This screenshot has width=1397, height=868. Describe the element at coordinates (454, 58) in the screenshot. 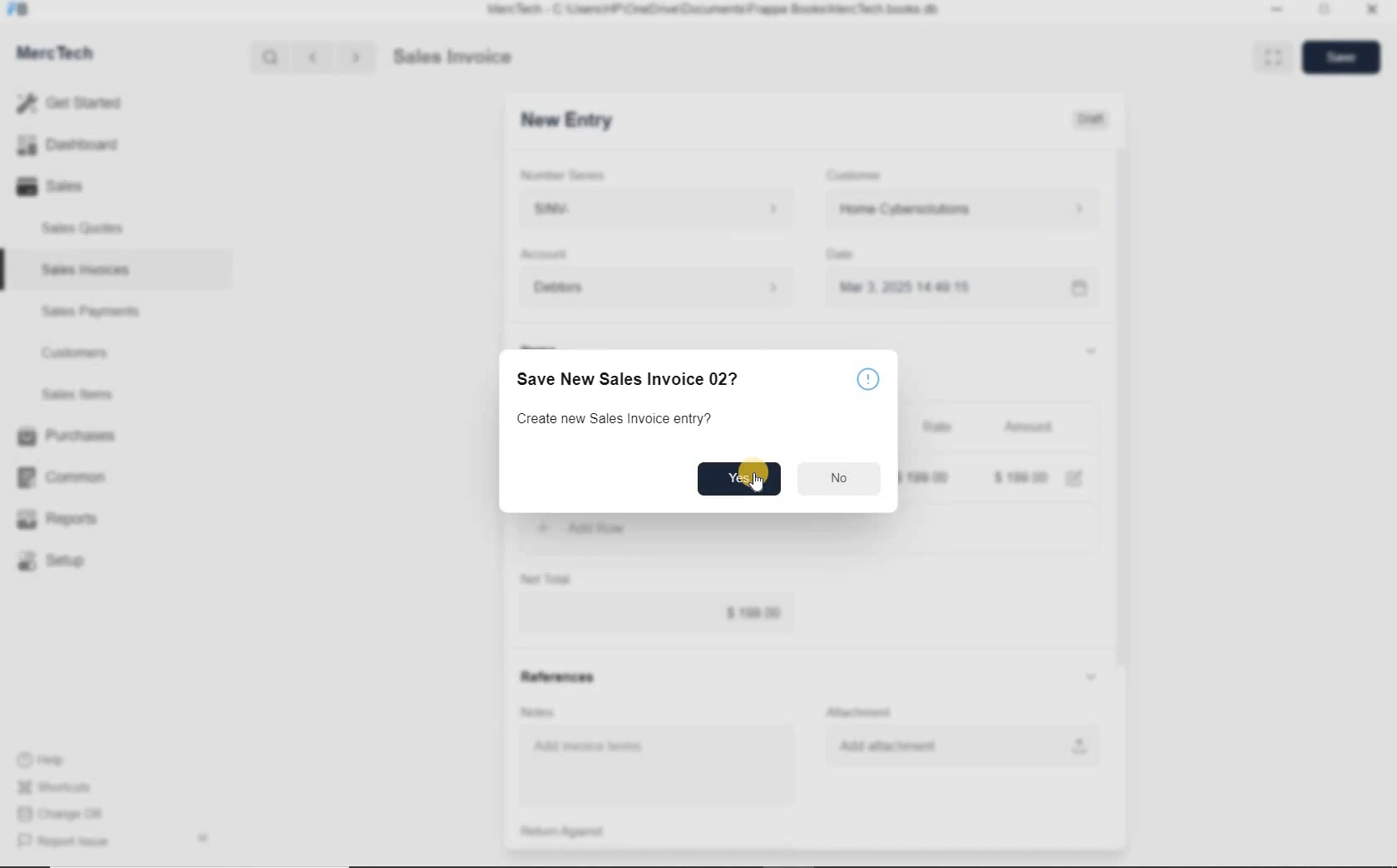

I see `Sales Invoice` at that location.